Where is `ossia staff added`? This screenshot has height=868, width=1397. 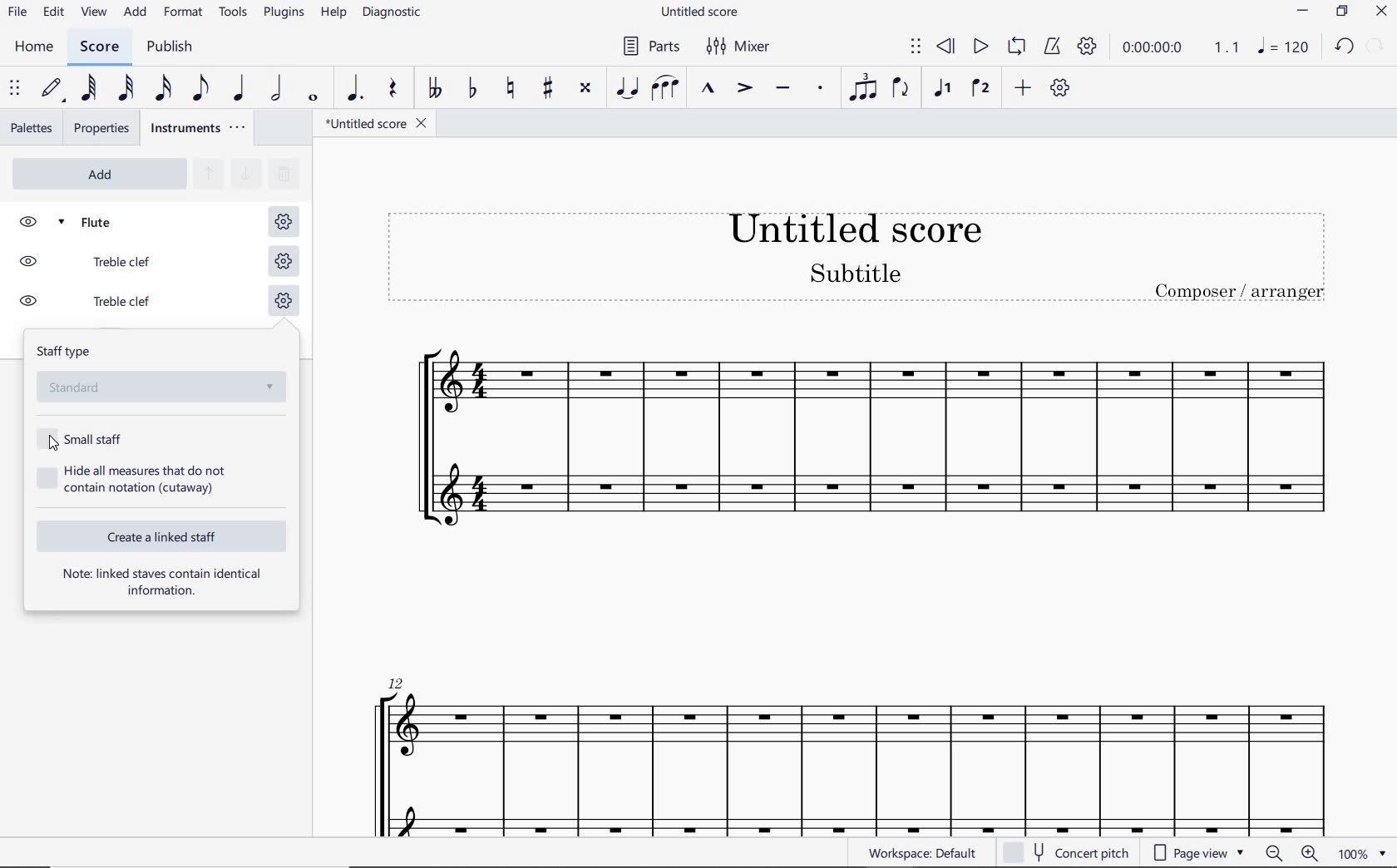
ossia staff added is located at coordinates (842, 808).